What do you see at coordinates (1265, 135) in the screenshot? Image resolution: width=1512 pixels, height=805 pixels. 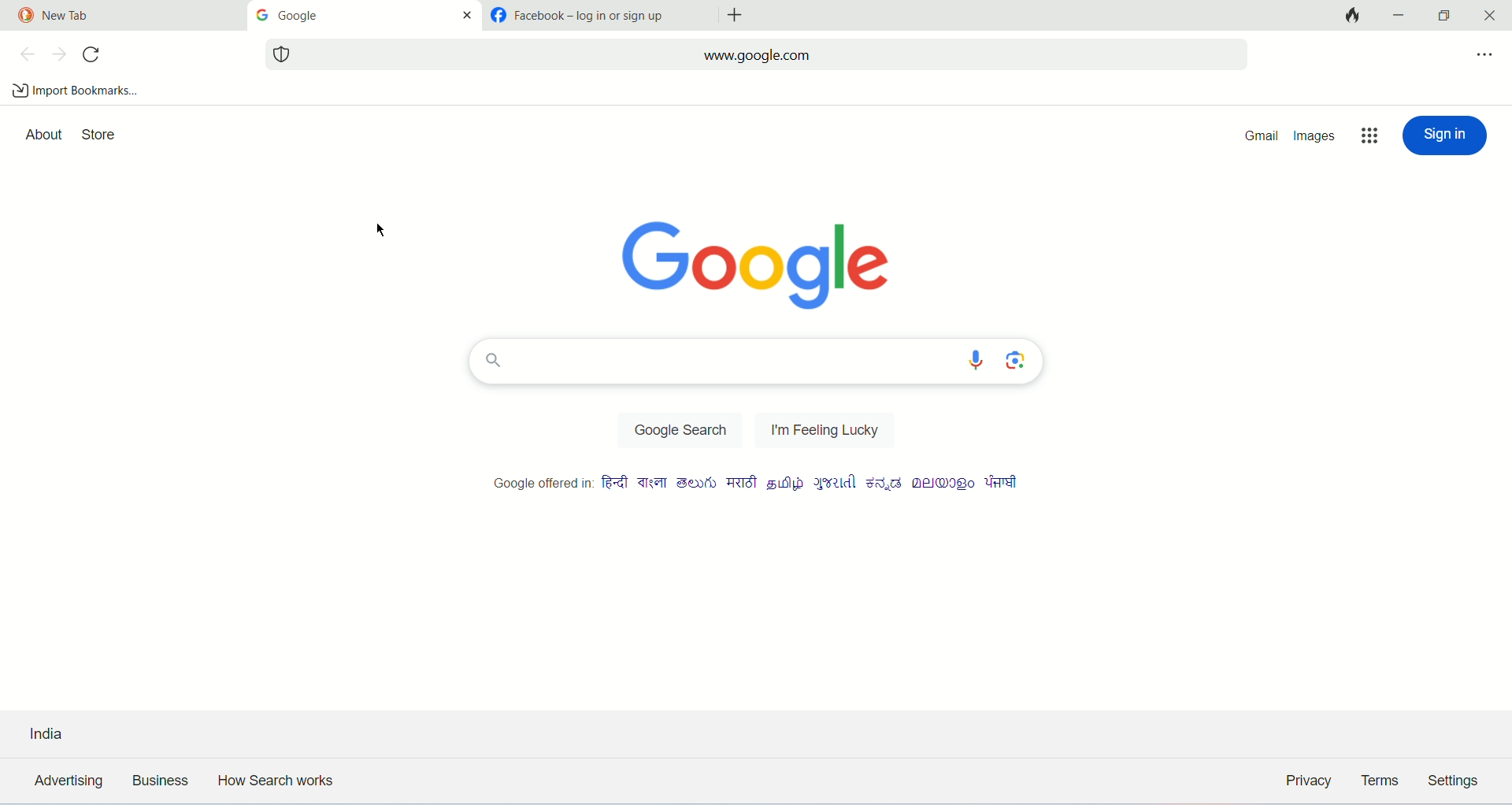 I see `gmail` at bounding box center [1265, 135].